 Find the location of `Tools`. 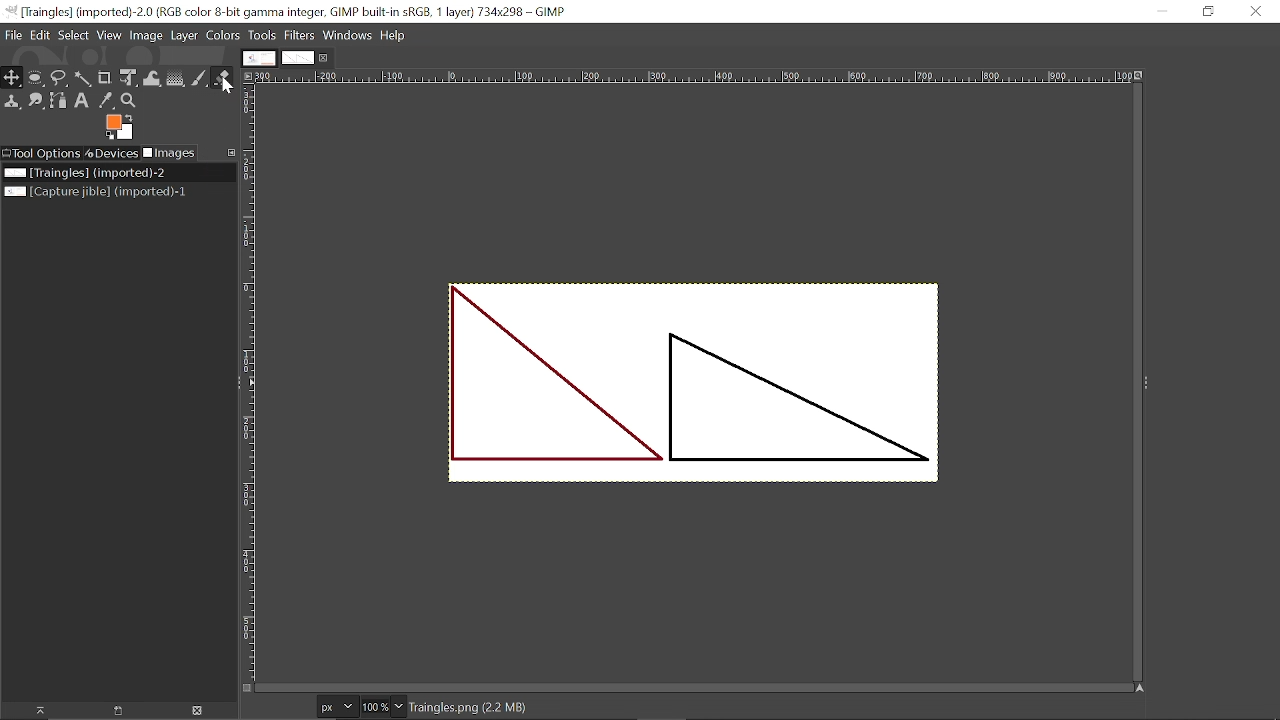

Tools is located at coordinates (262, 35).